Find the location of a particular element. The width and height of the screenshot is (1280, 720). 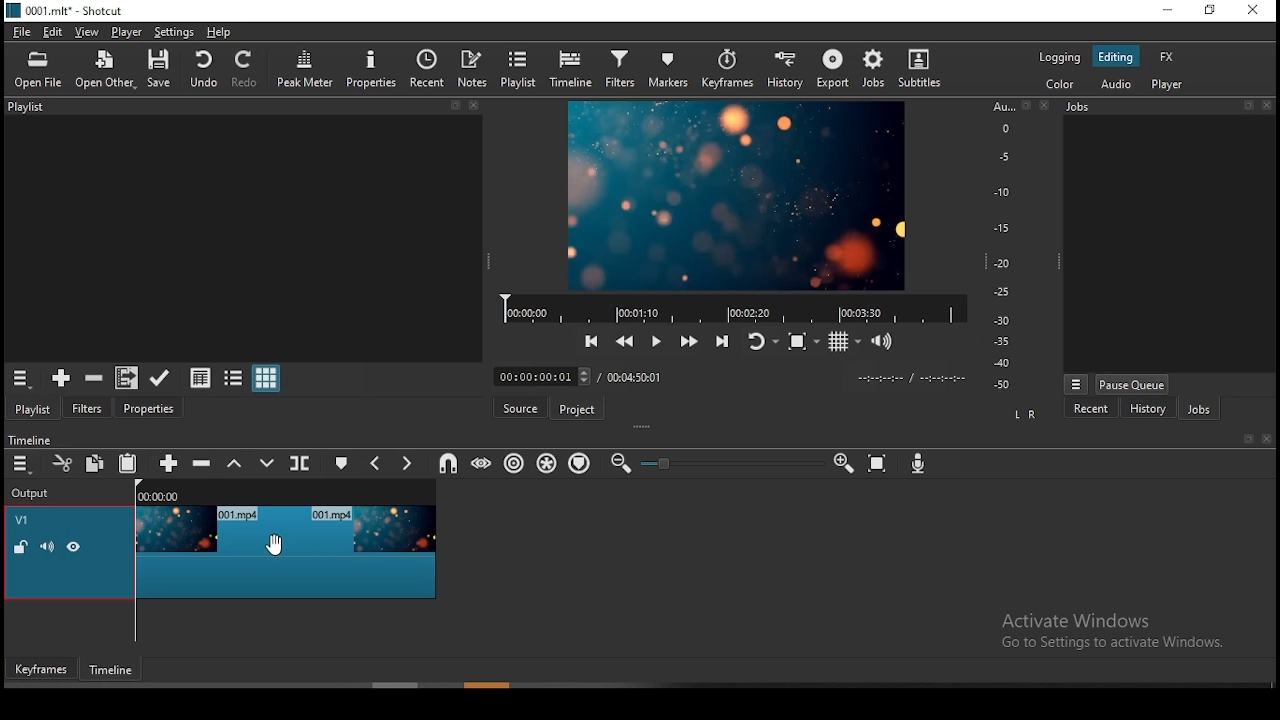

ripple all tracks is located at coordinates (549, 463).